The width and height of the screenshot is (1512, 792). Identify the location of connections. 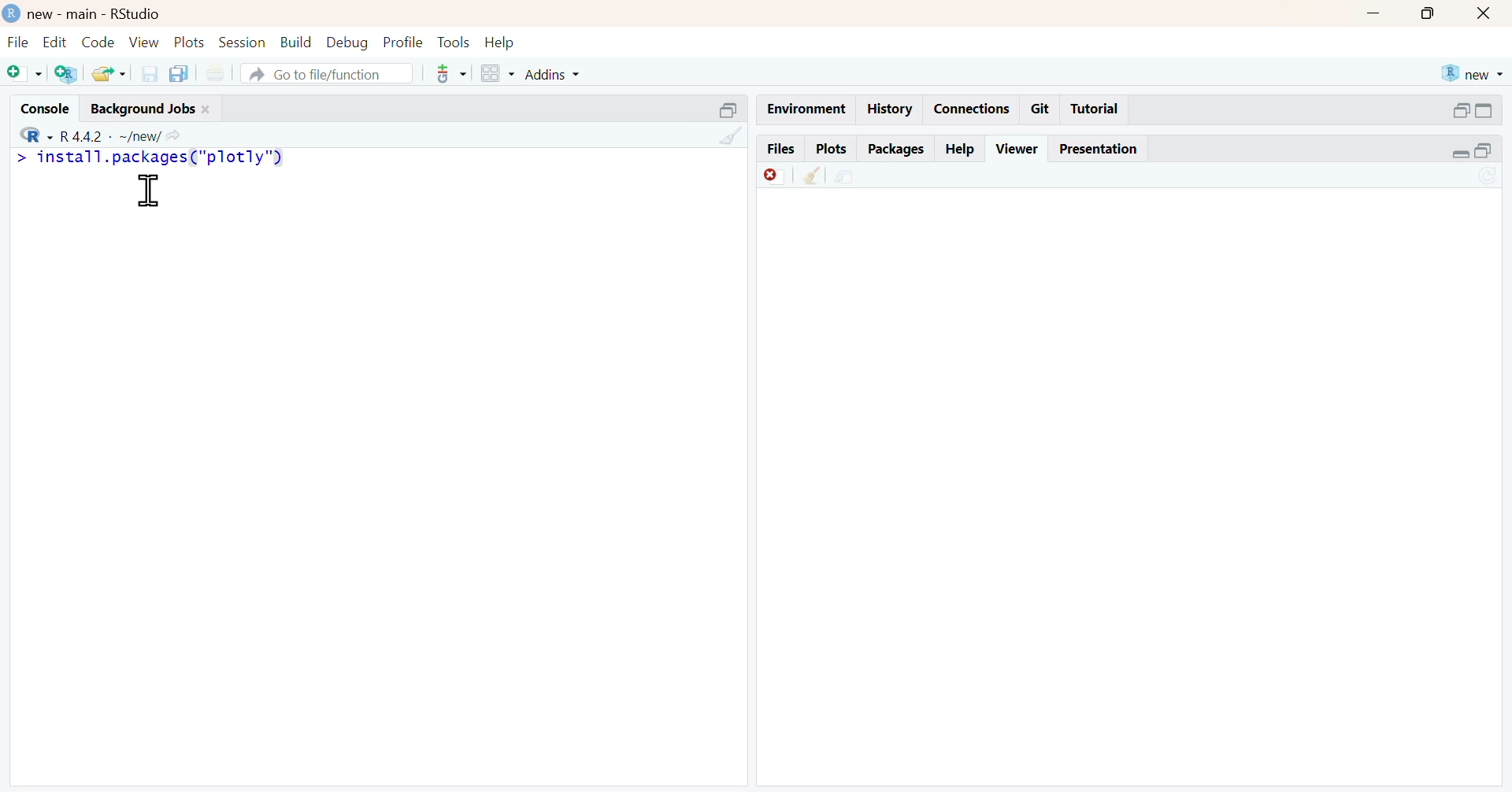
(971, 109).